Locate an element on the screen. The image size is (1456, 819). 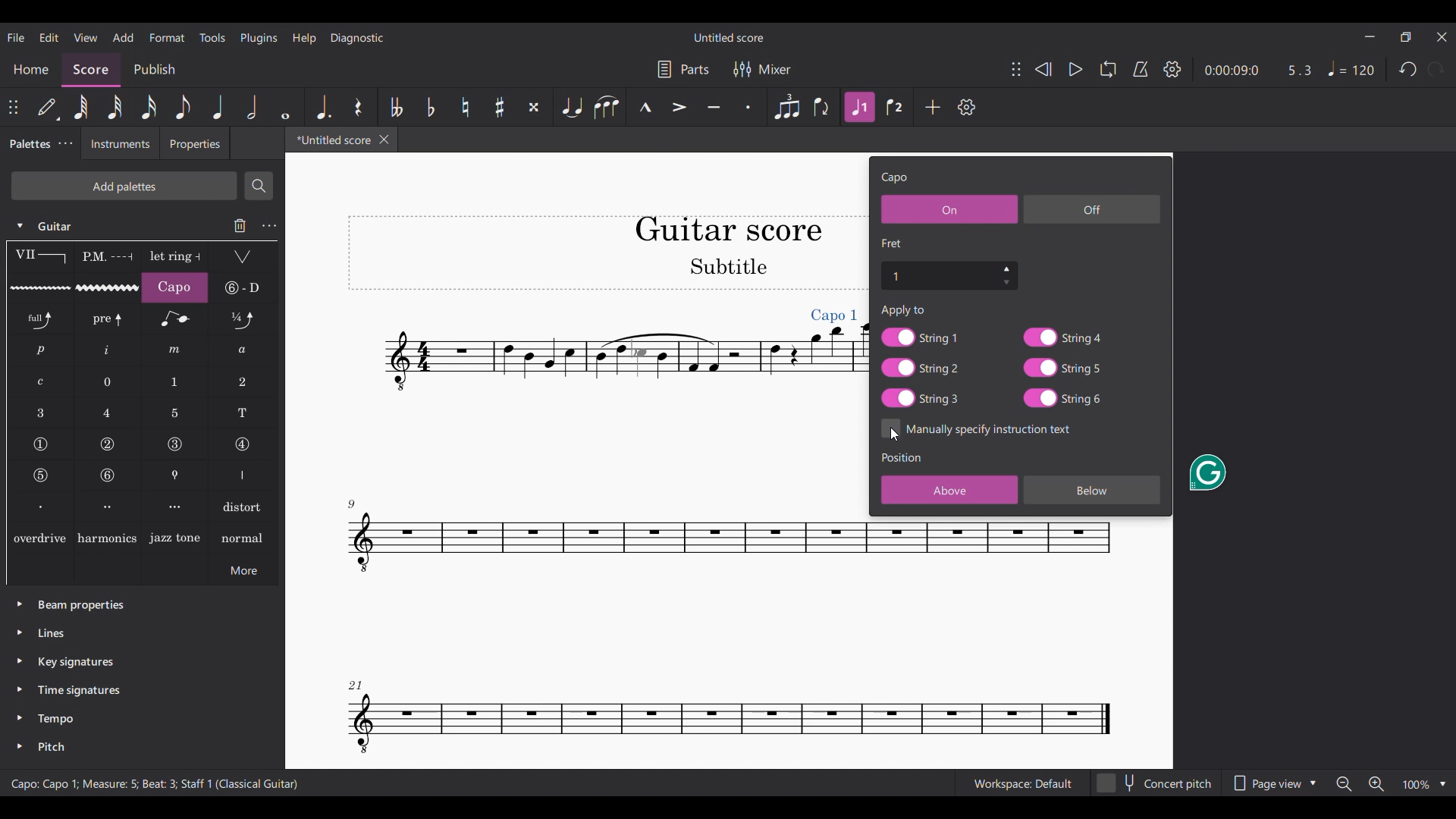
Palettes, current tab is located at coordinates (28, 144).